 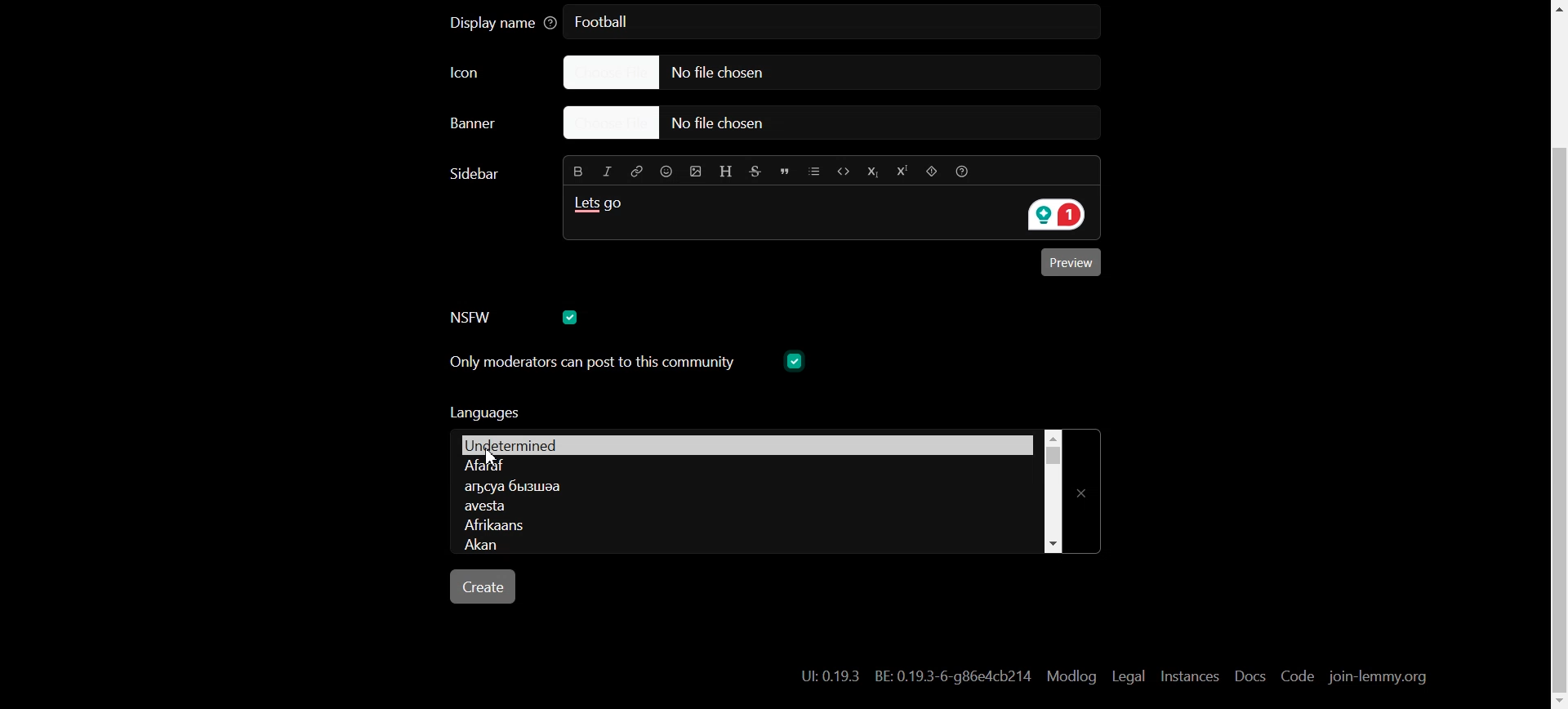 I want to click on Language, so click(x=739, y=487).